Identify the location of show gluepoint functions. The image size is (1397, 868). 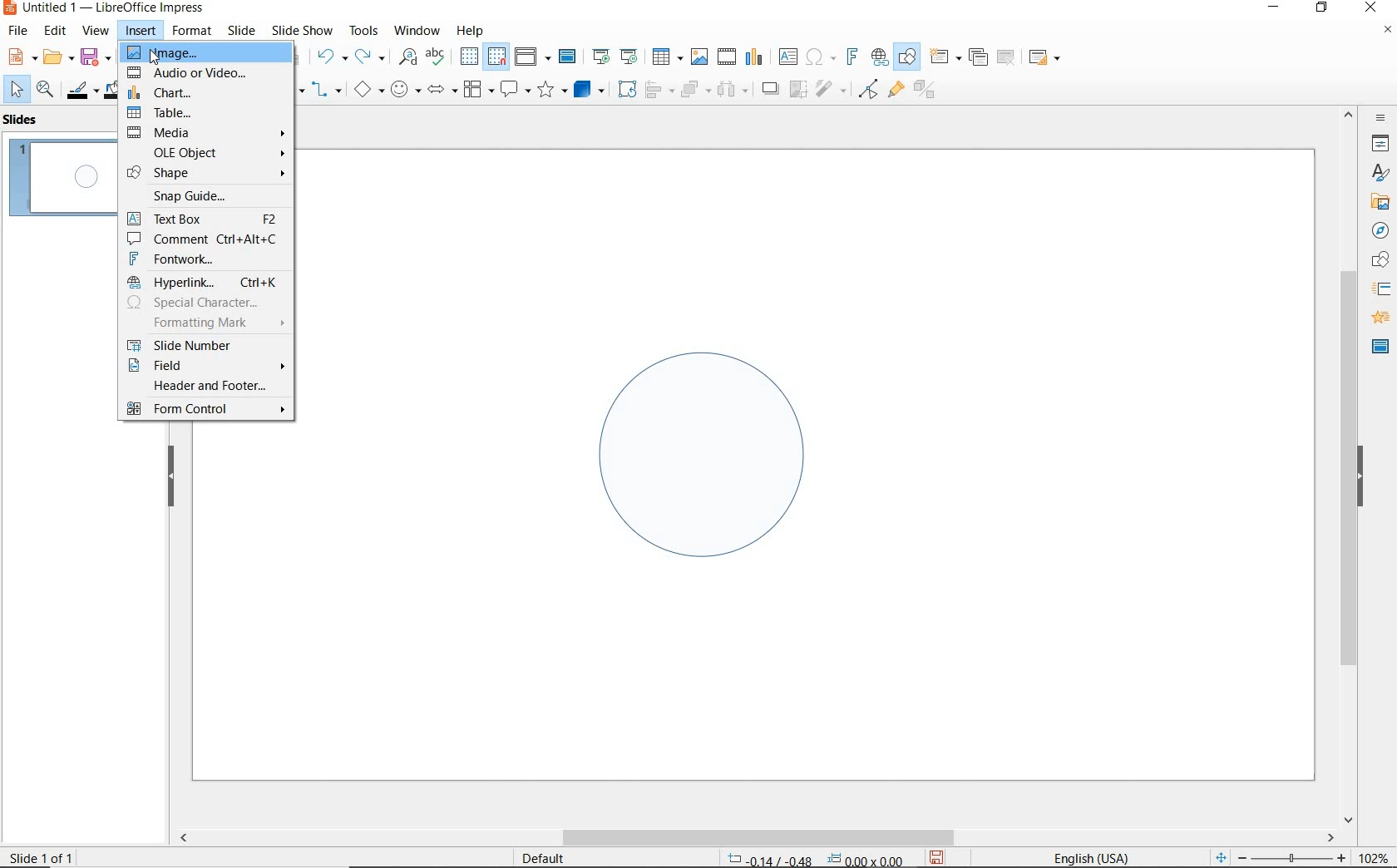
(892, 91).